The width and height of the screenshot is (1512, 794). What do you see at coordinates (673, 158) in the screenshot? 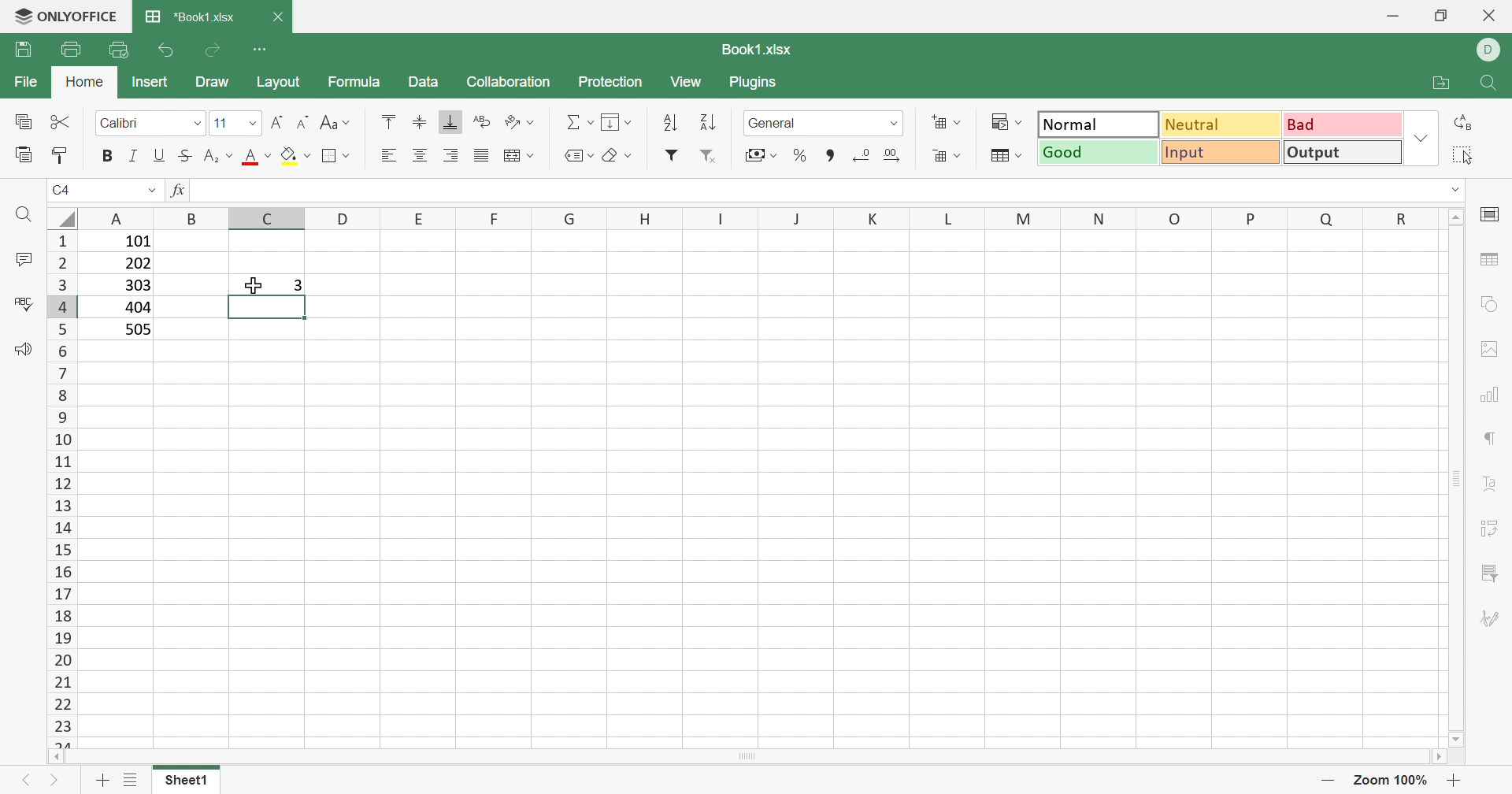
I see `Filter` at bounding box center [673, 158].